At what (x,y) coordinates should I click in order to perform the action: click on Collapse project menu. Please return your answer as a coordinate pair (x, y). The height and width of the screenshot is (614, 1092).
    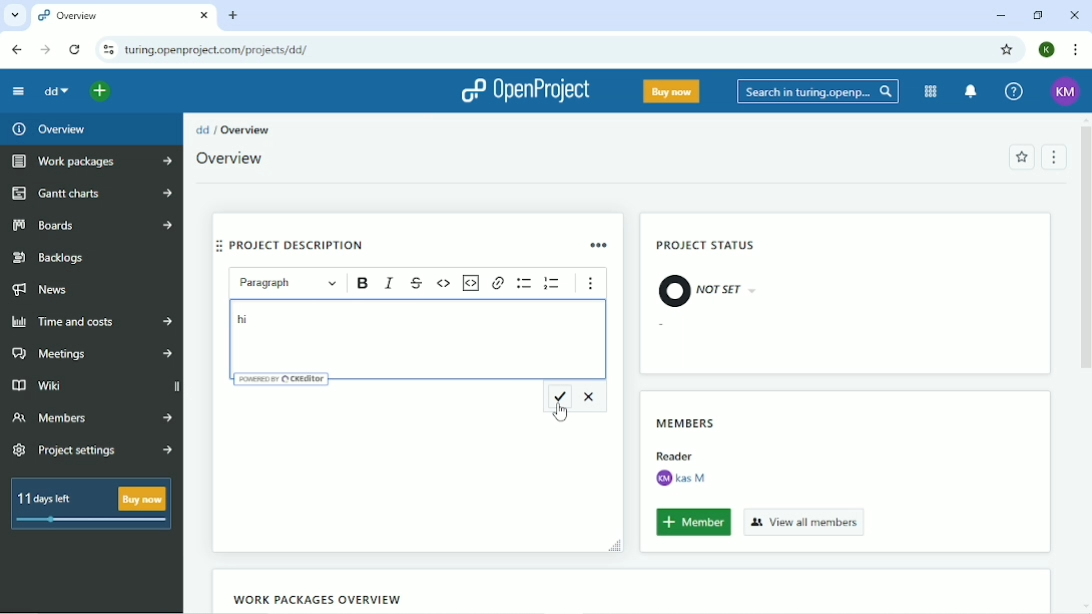
    Looking at the image, I should click on (18, 91).